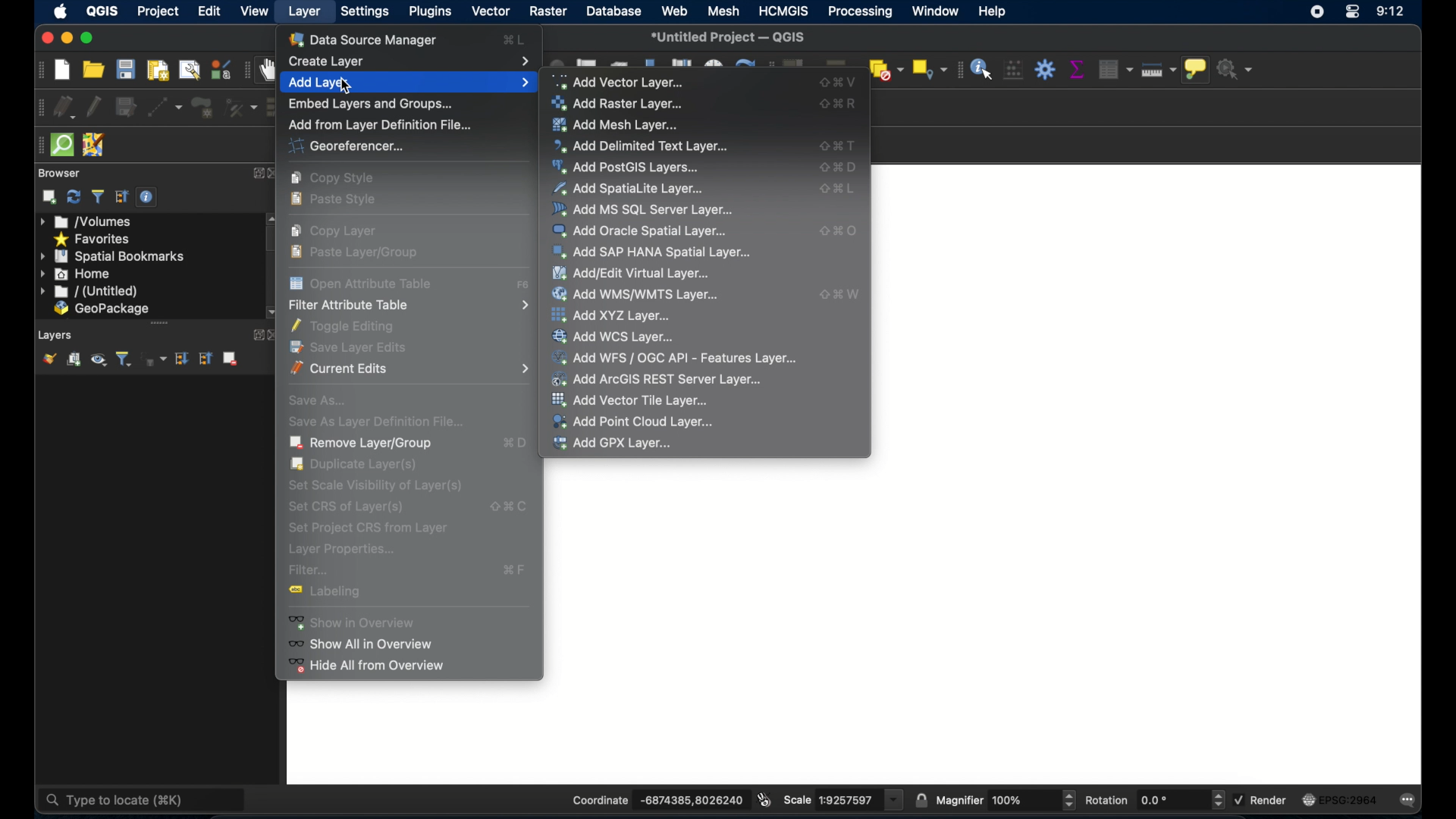 The height and width of the screenshot is (819, 1456). Describe the element at coordinates (410, 285) in the screenshot. I see `Open Attribute Table` at that location.